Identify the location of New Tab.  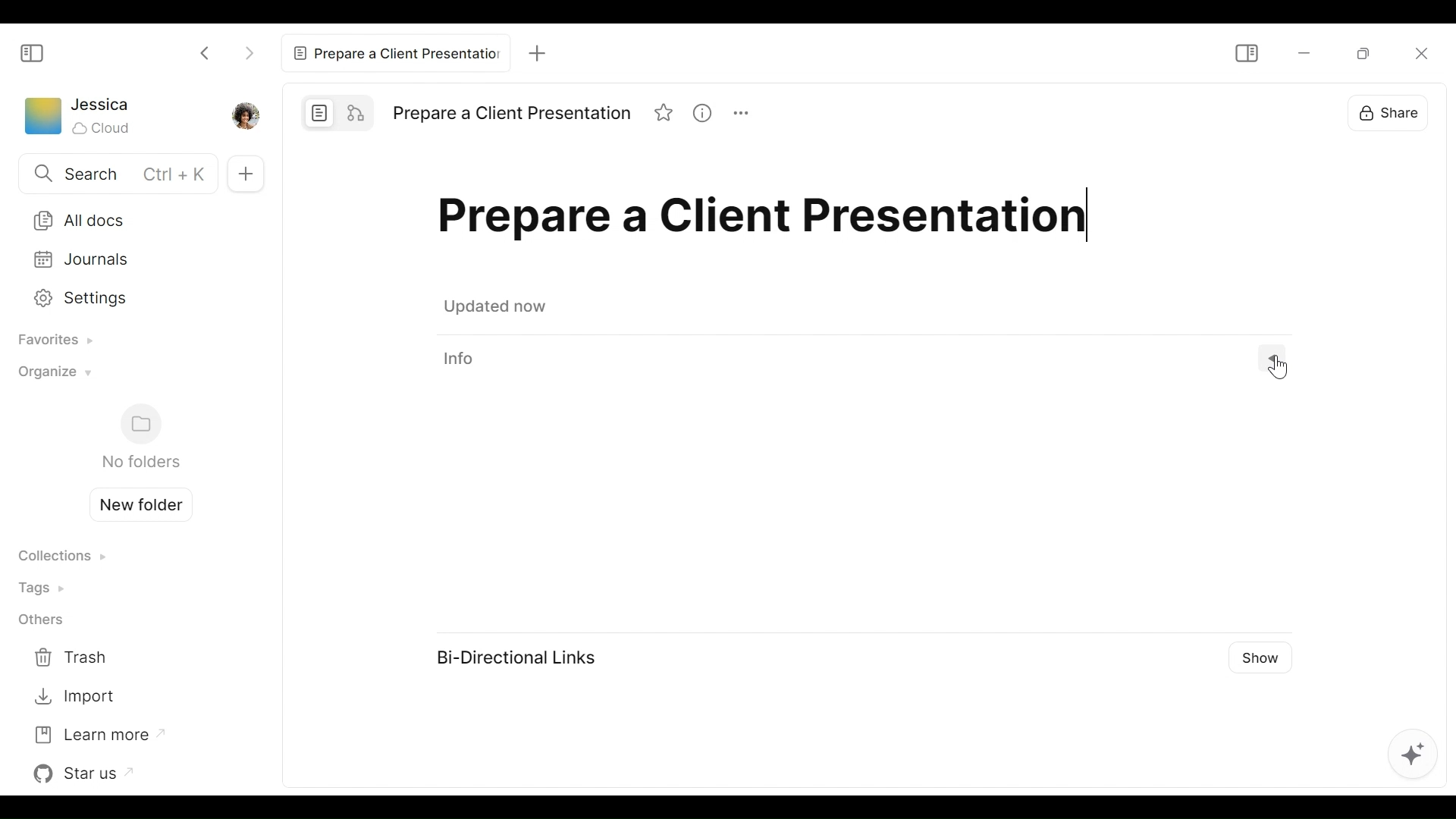
(532, 51).